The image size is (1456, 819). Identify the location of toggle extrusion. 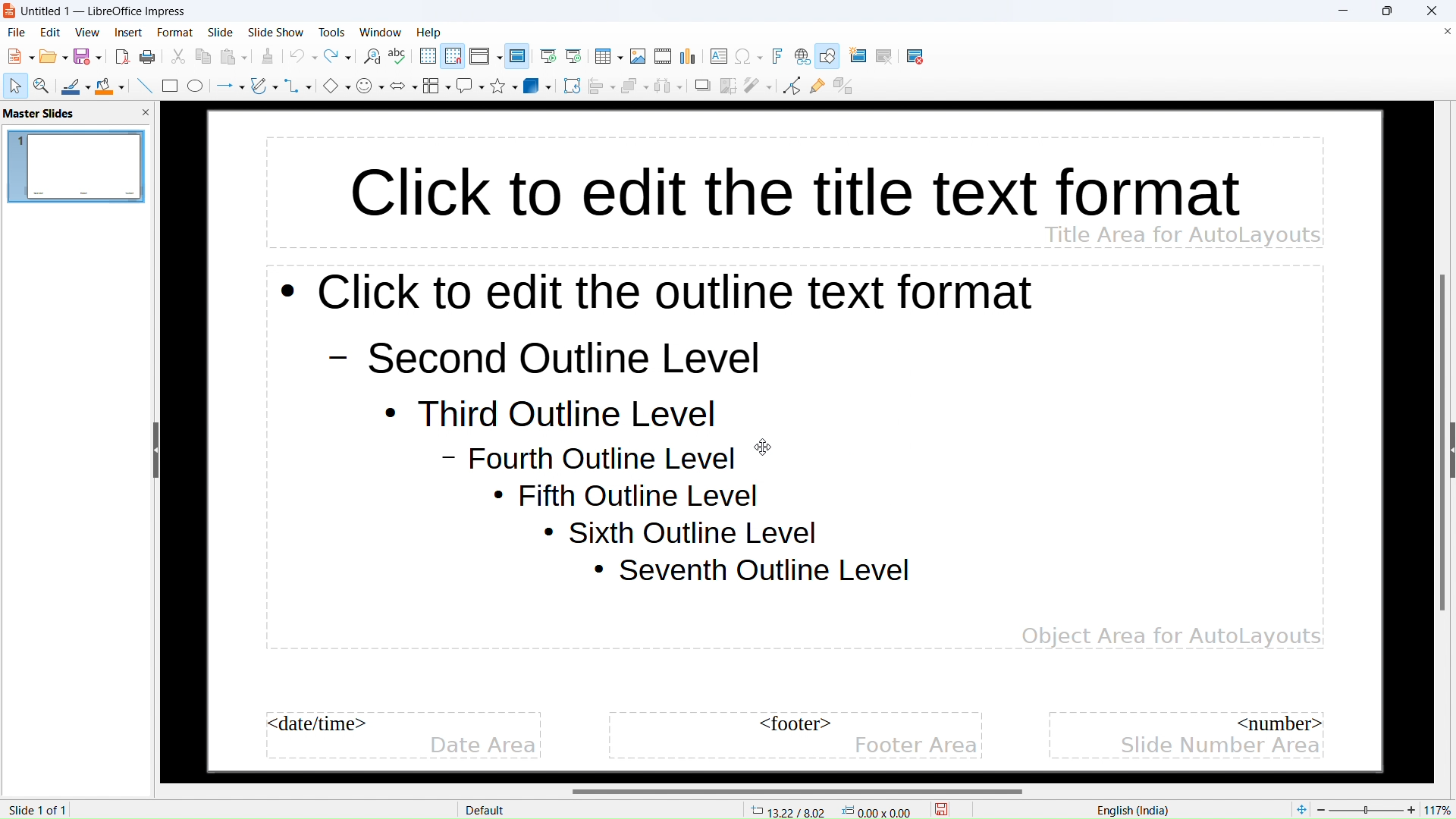
(843, 86).